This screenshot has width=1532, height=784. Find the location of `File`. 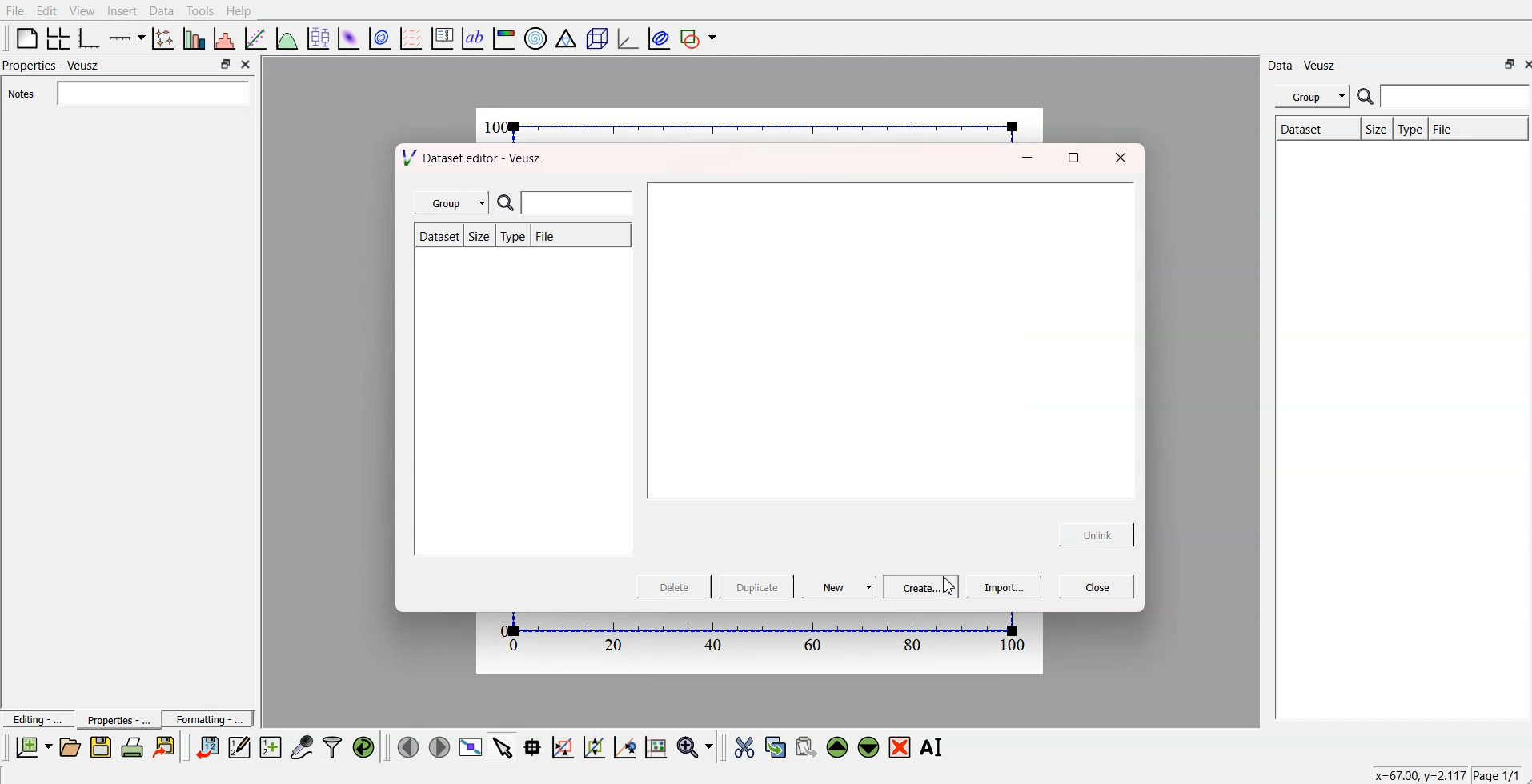

File is located at coordinates (15, 11).